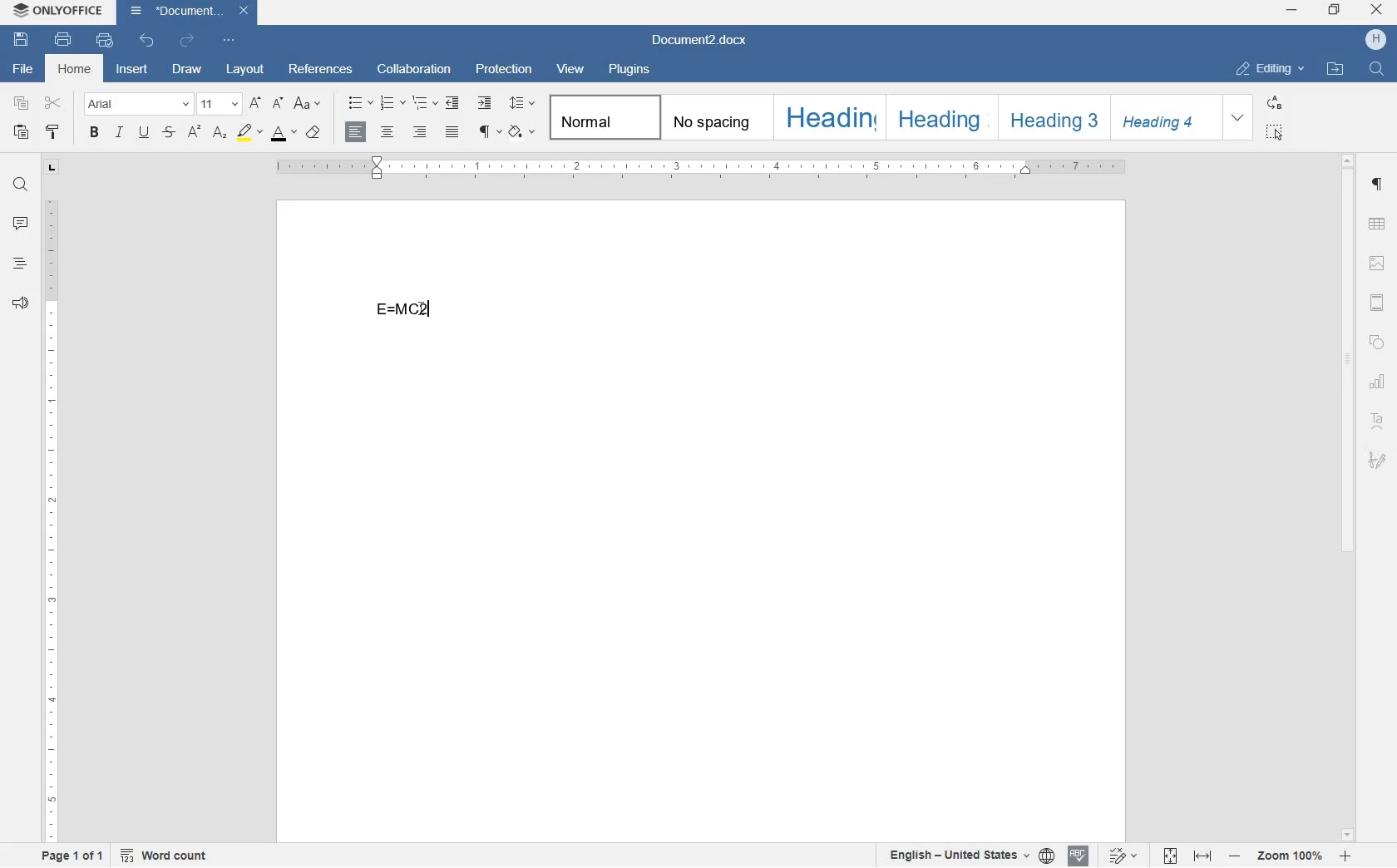 This screenshot has width=1397, height=868. Describe the element at coordinates (488, 133) in the screenshot. I see `non printing characters` at that location.